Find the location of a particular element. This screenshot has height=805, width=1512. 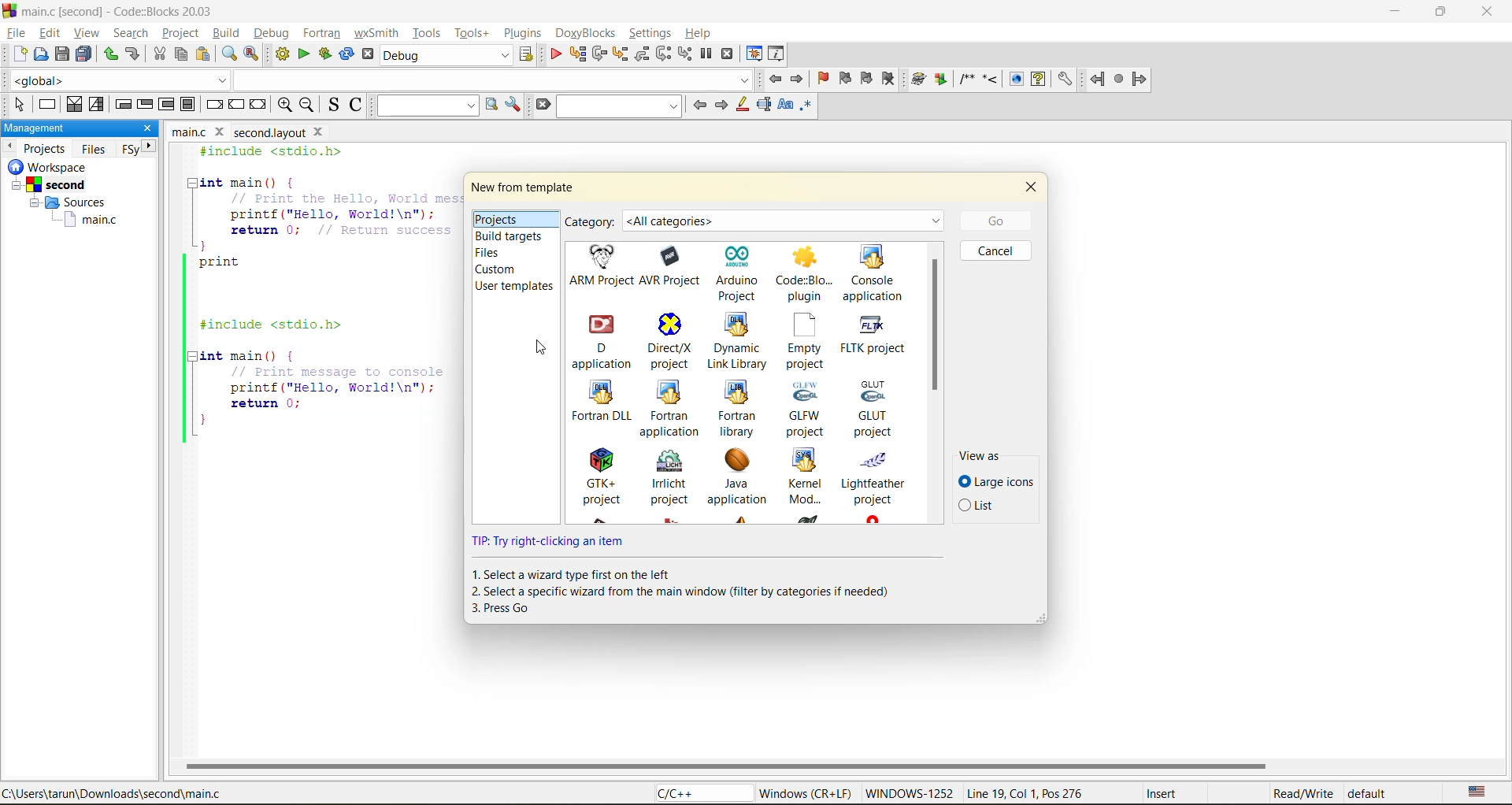

run is located at coordinates (306, 55).